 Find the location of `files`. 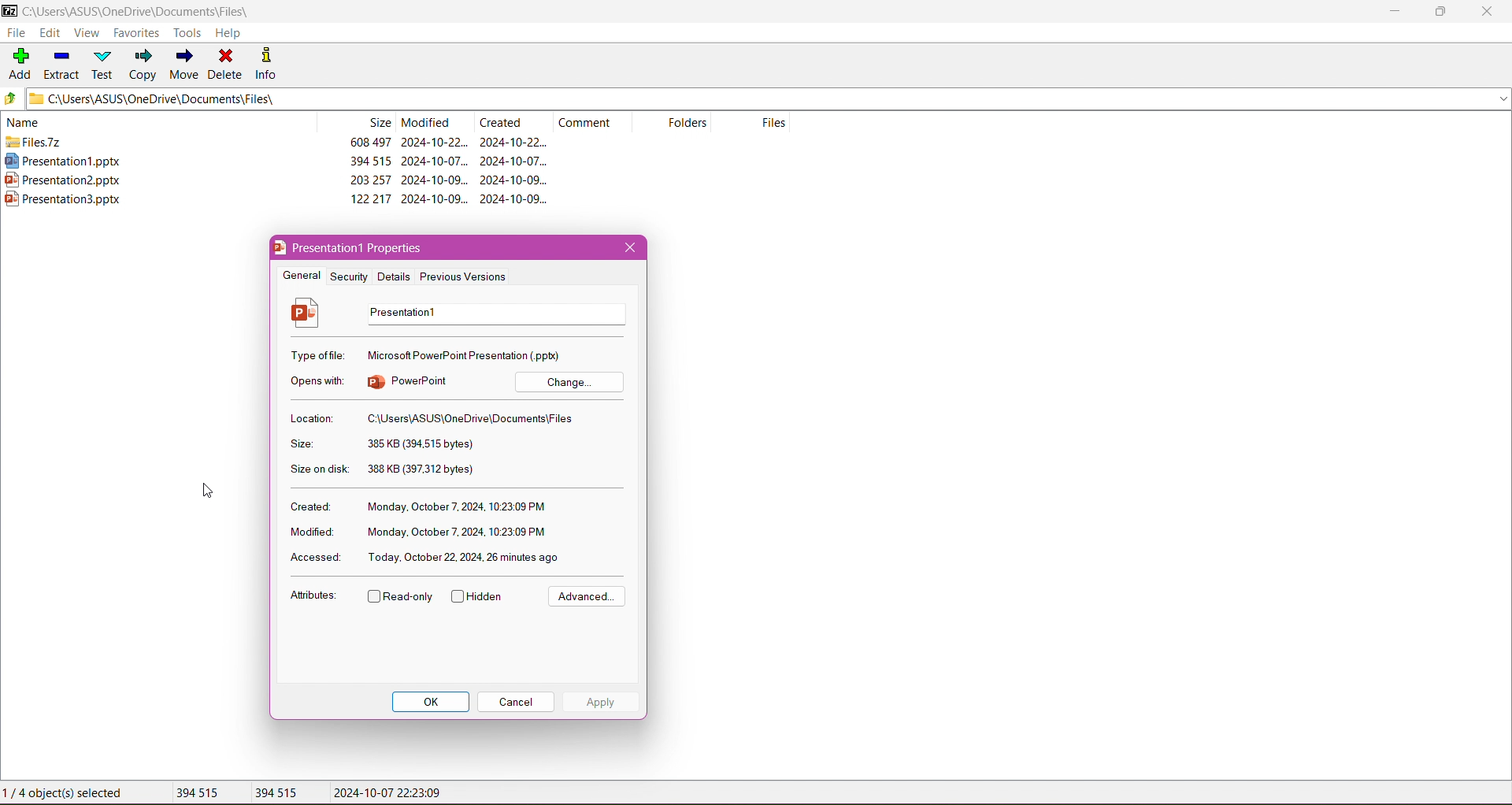

files is located at coordinates (774, 122).